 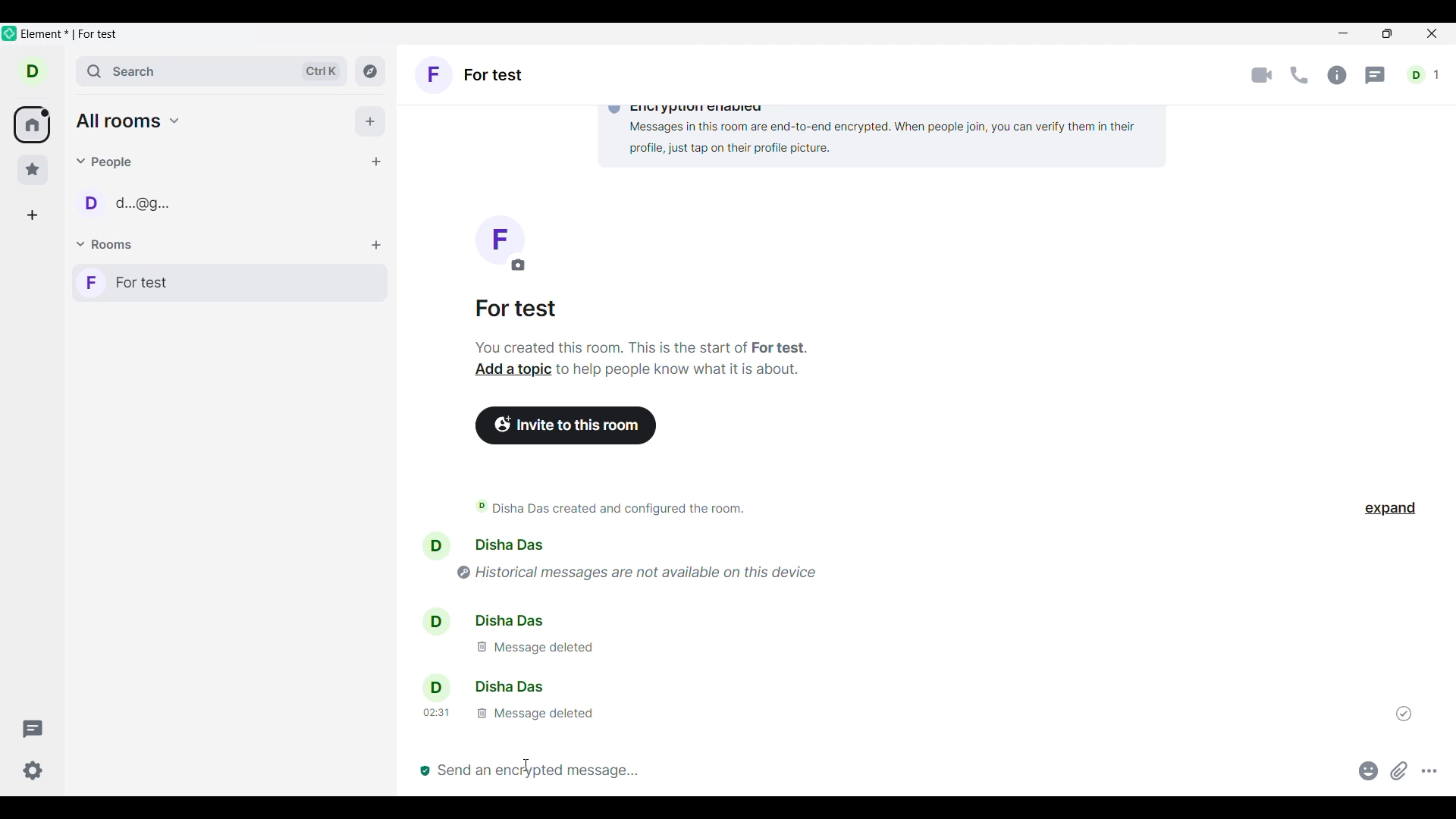 I want to click on Indicates message was sent, so click(x=1404, y=714).